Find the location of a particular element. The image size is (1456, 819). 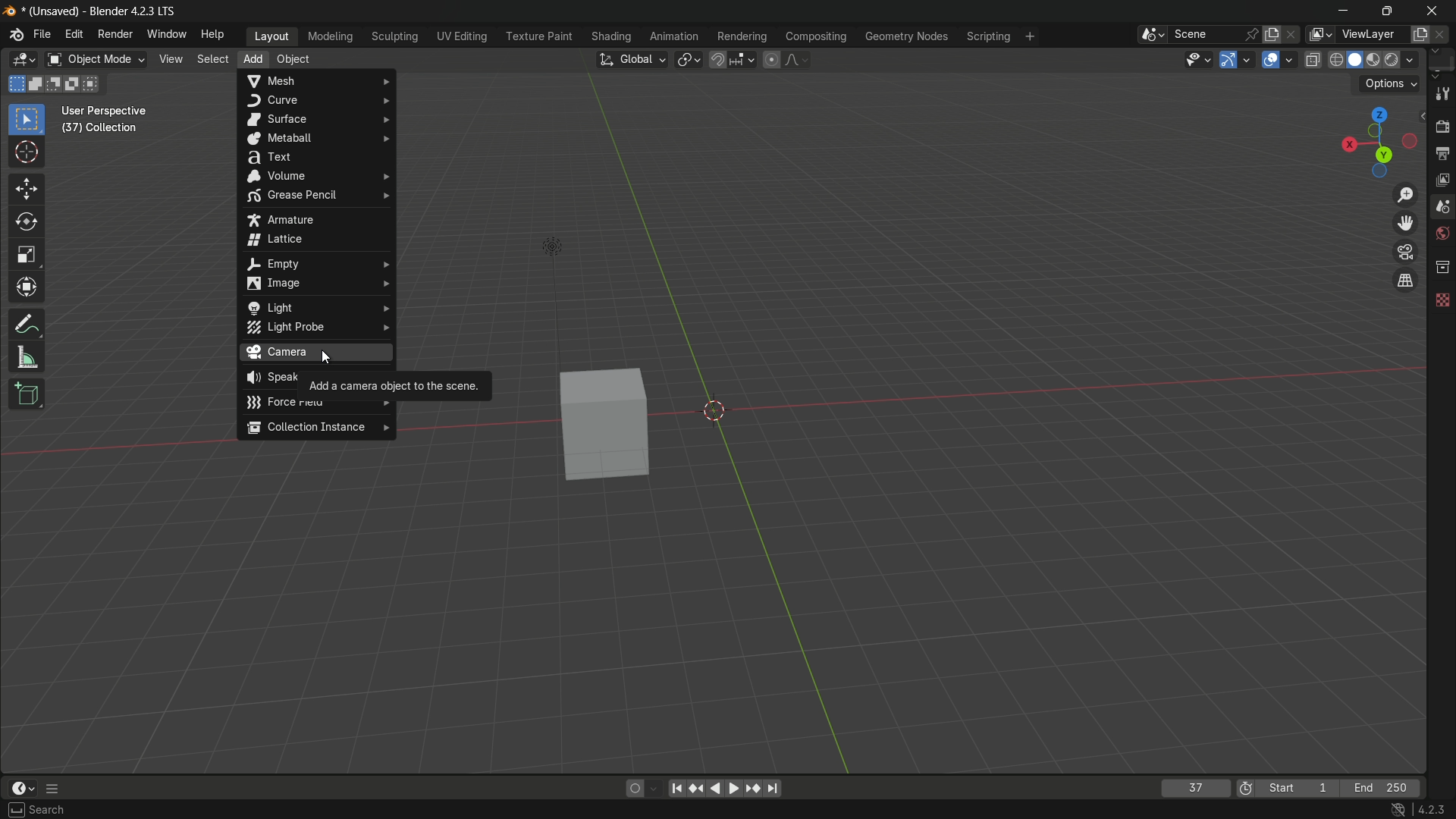

object mode is located at coordinates (96, 59).